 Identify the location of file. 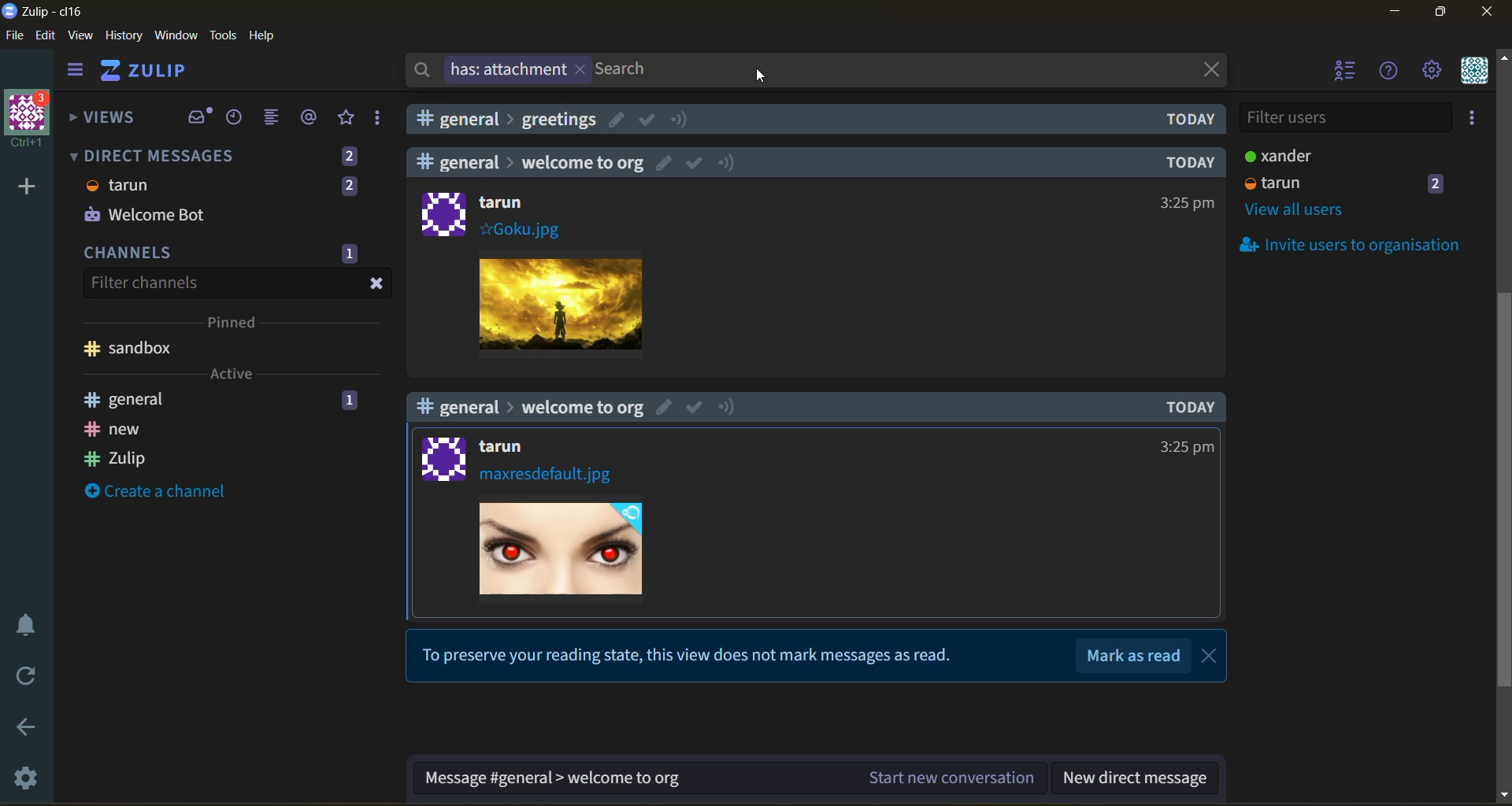
(15, 36).